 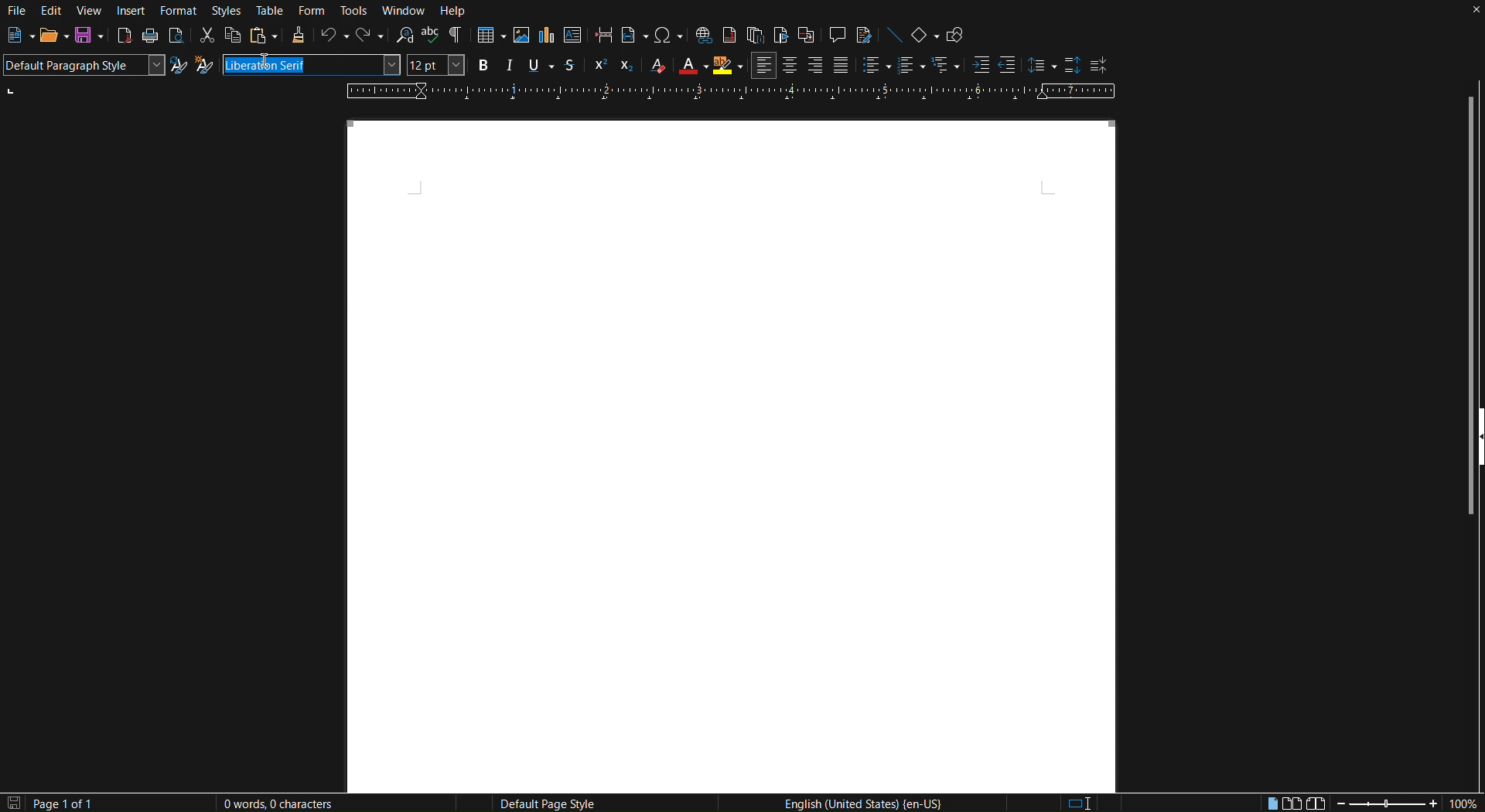 What do you see at coordinates (456, 39) in the screenshot?
I see `Toggle Formatting Marks` at bounding box center [456, 39].